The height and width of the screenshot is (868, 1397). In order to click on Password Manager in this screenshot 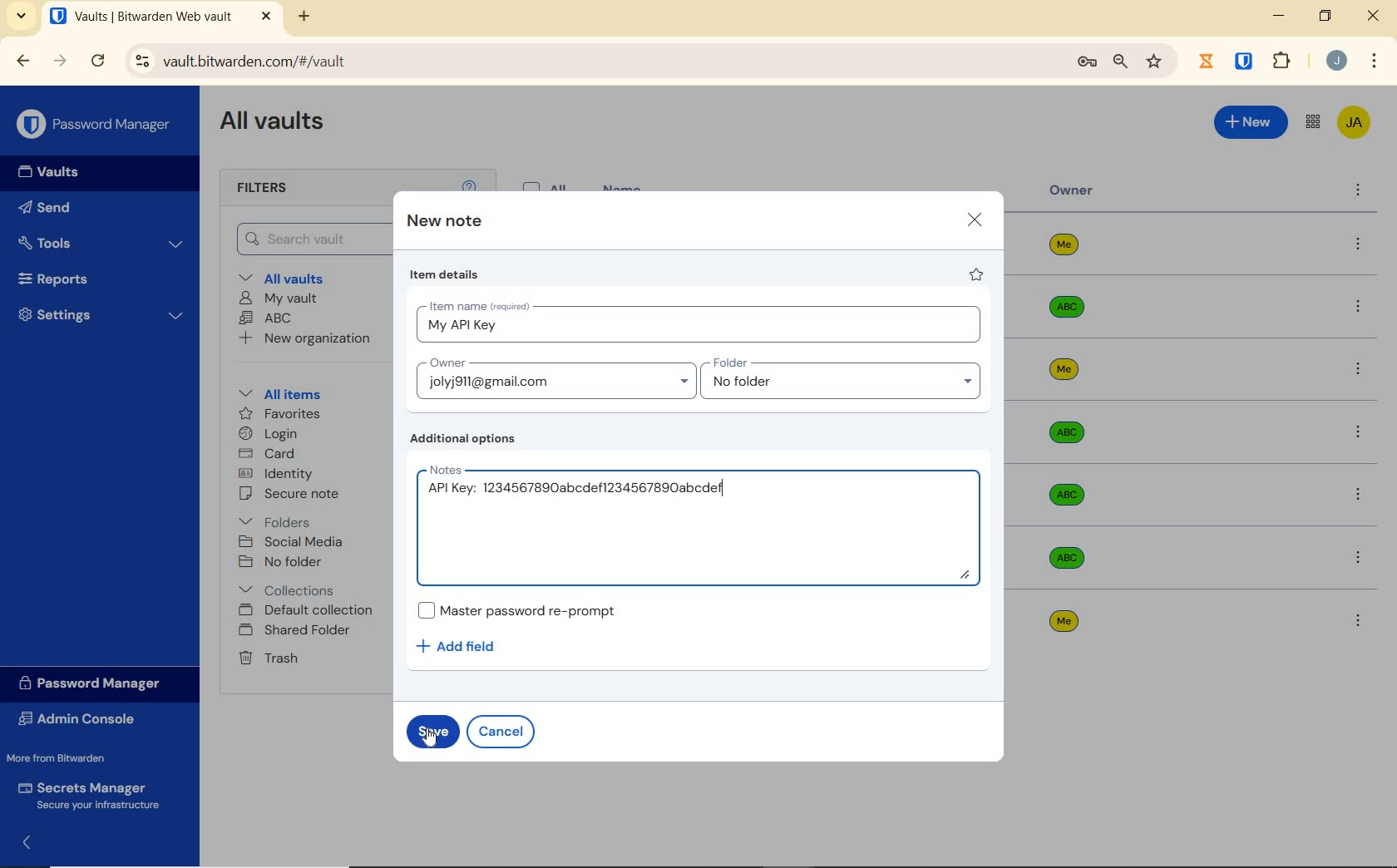, I will do `click(95, 683)`.